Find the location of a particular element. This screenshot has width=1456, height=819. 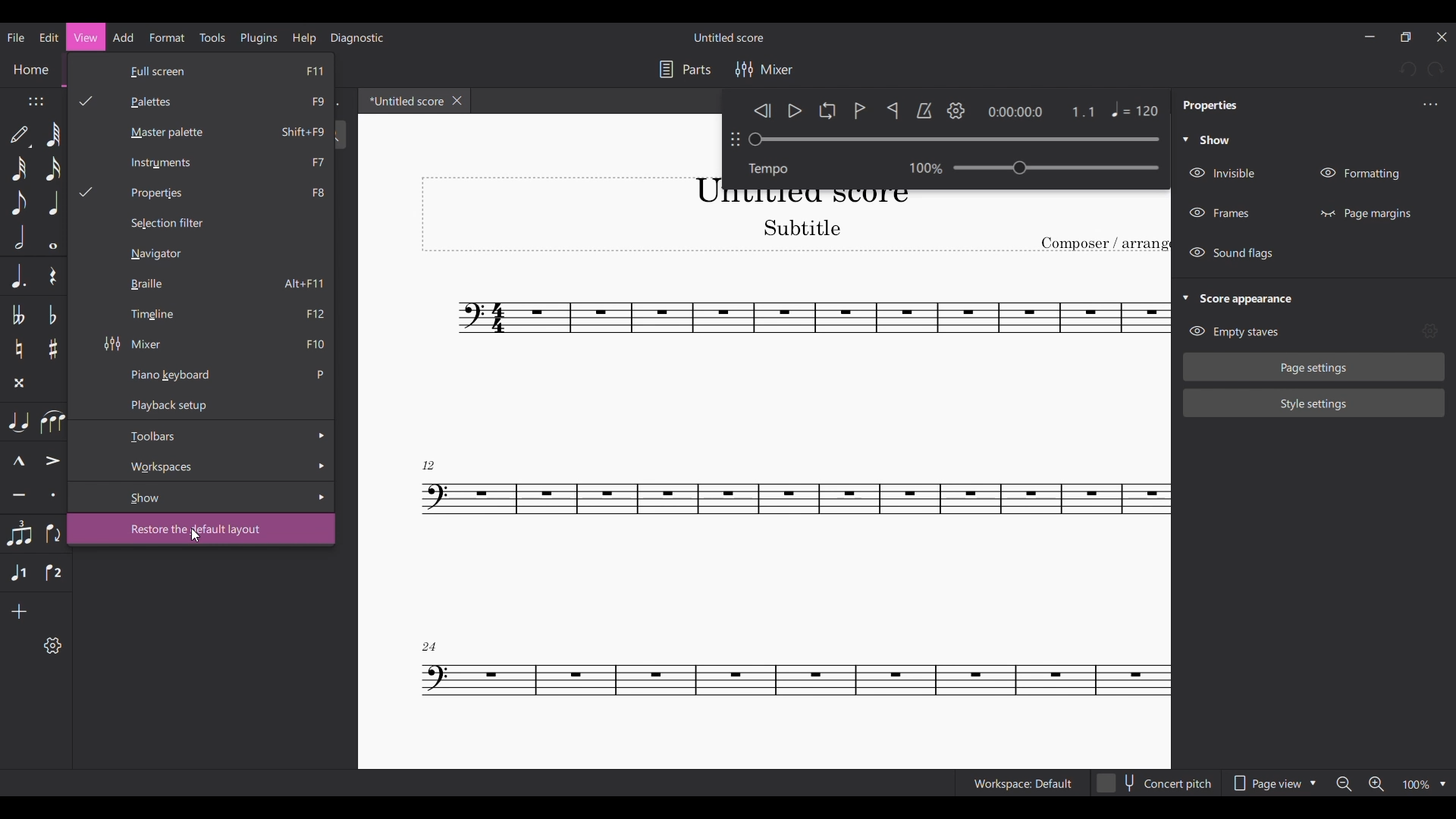

properties is located at coordinates (1210, 107).